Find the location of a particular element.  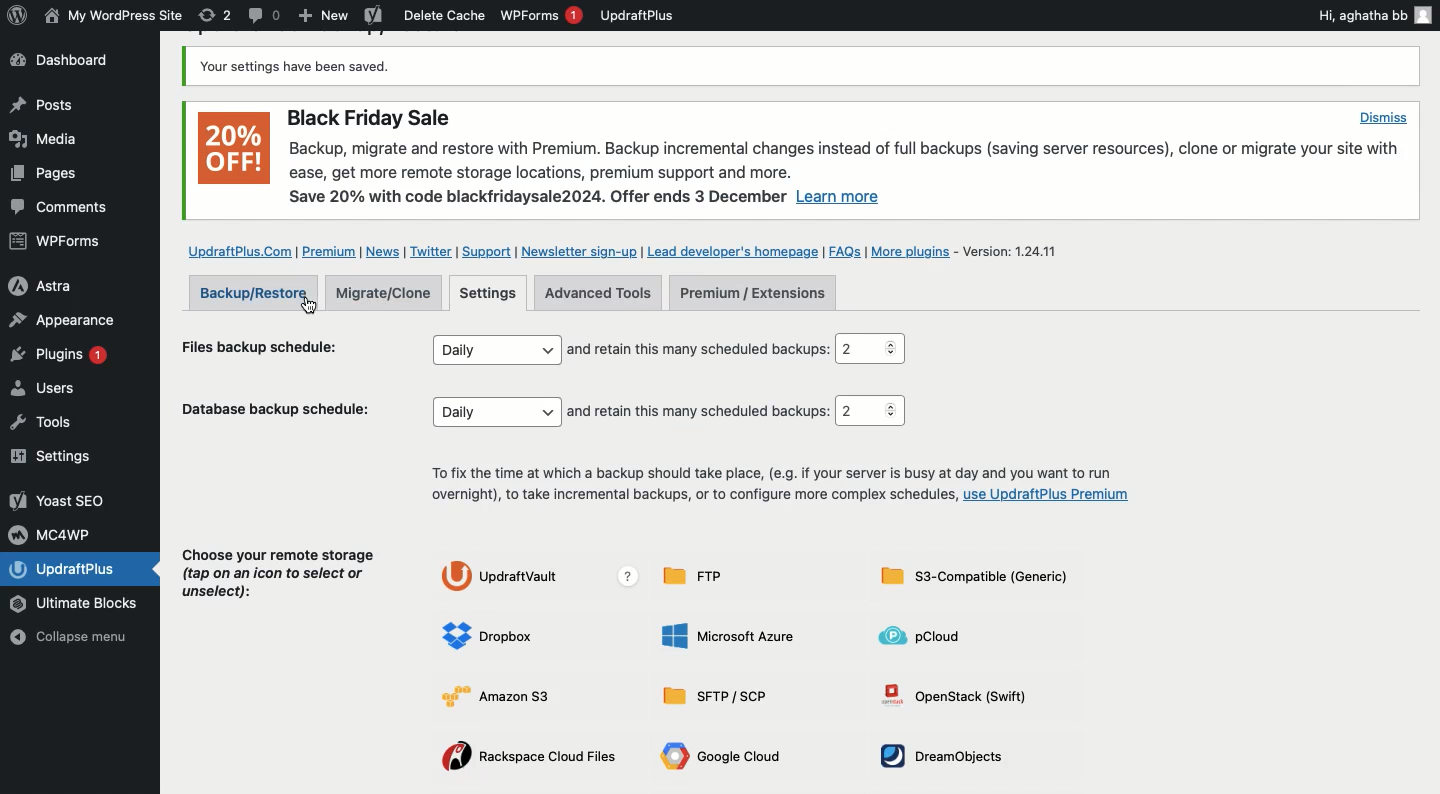

Dismiss is located at coordinates (1381, 117).